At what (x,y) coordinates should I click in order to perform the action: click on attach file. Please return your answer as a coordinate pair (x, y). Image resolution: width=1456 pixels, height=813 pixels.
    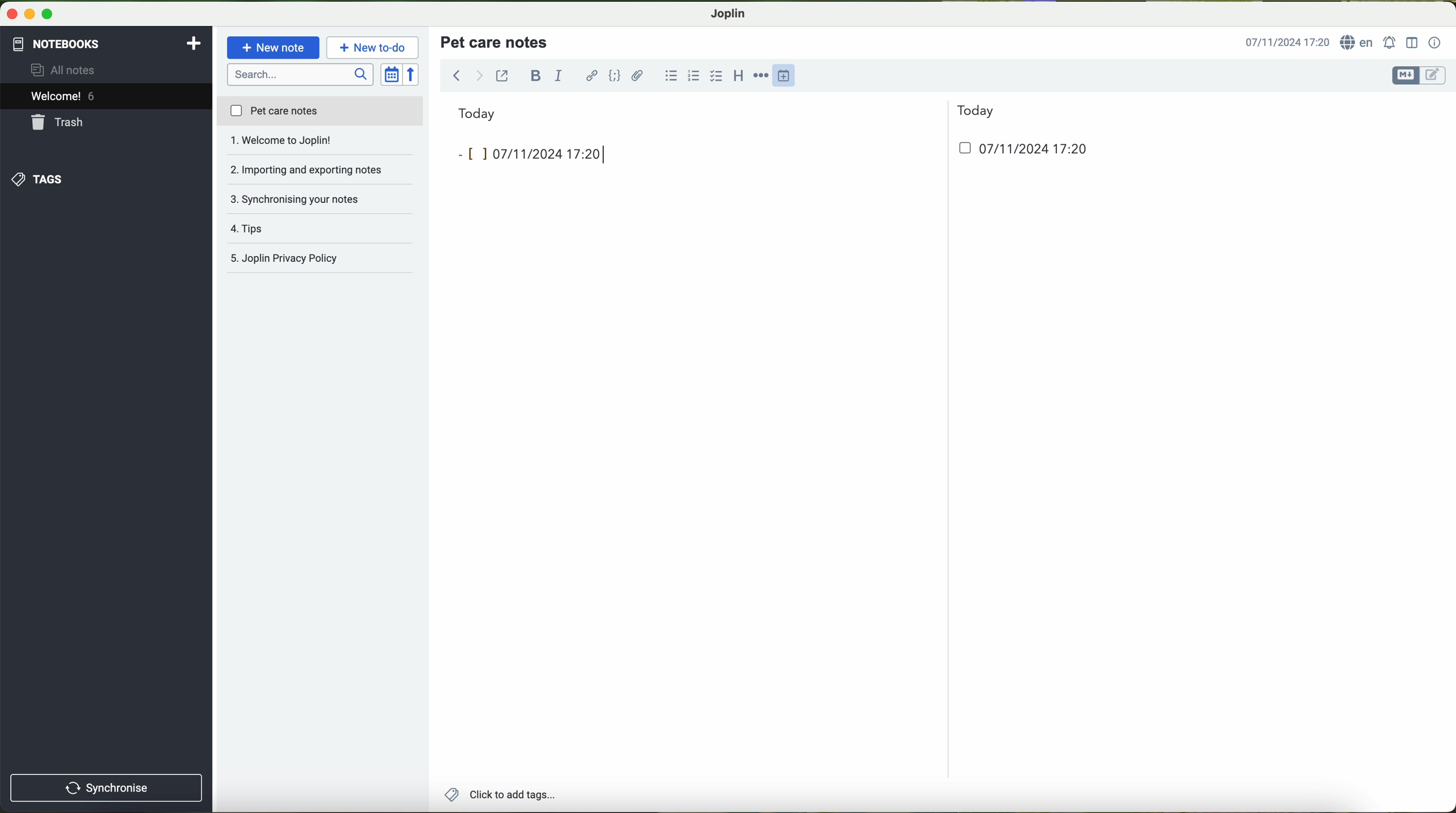
    Looking at the image, I should click on (638, 75).